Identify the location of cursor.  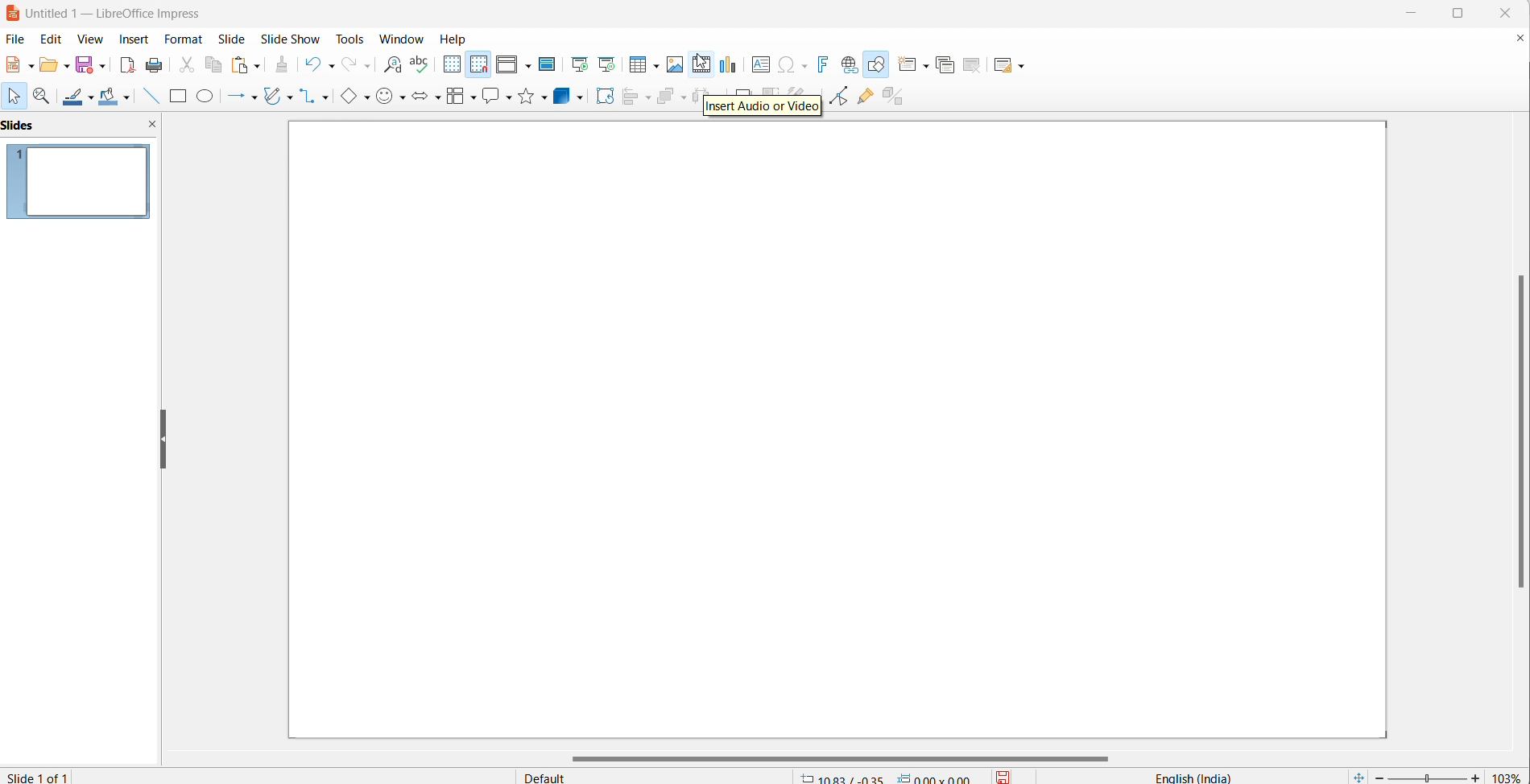
(701, 63).